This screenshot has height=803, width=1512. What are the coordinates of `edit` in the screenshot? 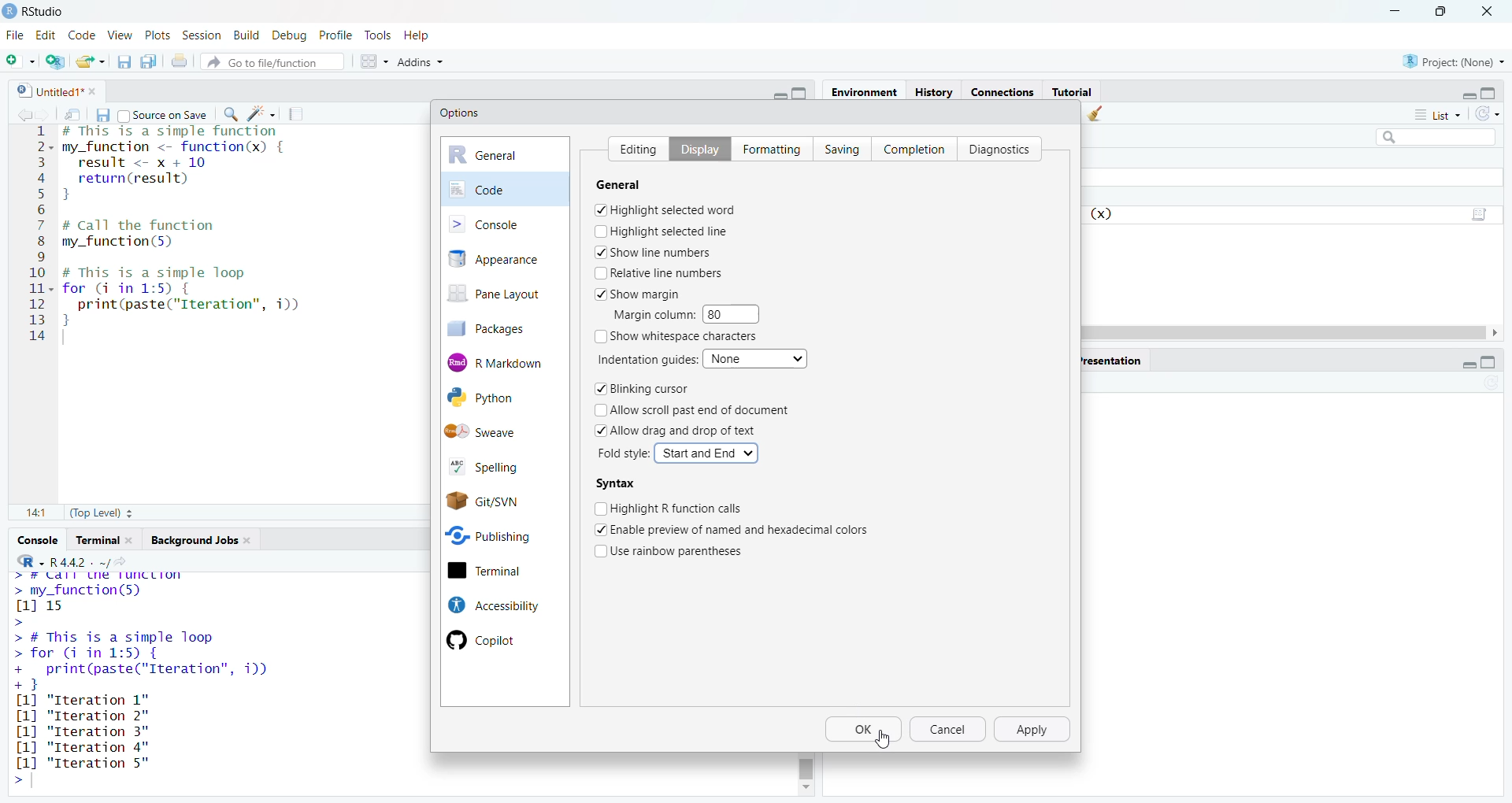 It's located at (46, 35).